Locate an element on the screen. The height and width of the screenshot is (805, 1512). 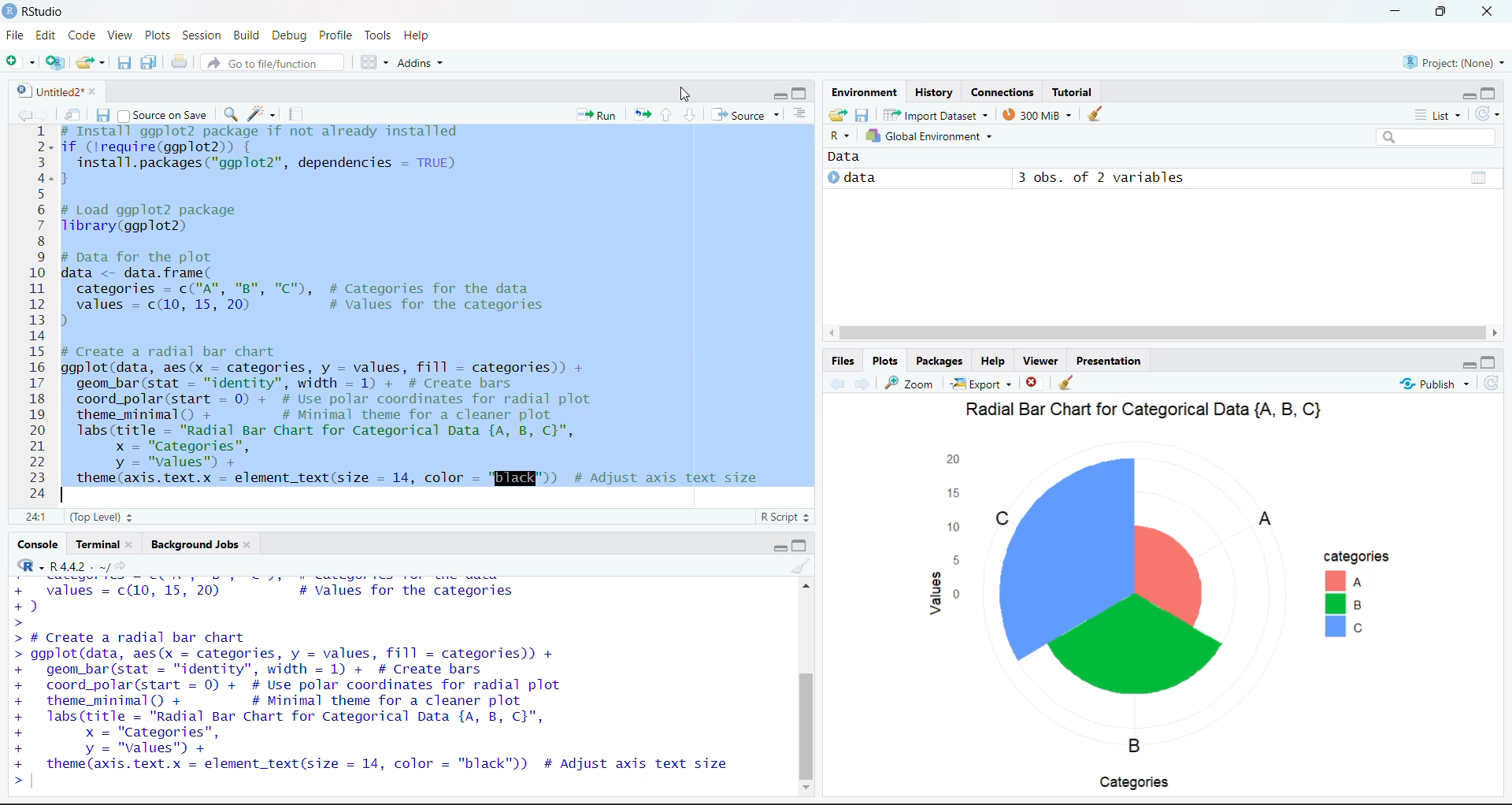
Source on Save is located at coordinates (164, 116).